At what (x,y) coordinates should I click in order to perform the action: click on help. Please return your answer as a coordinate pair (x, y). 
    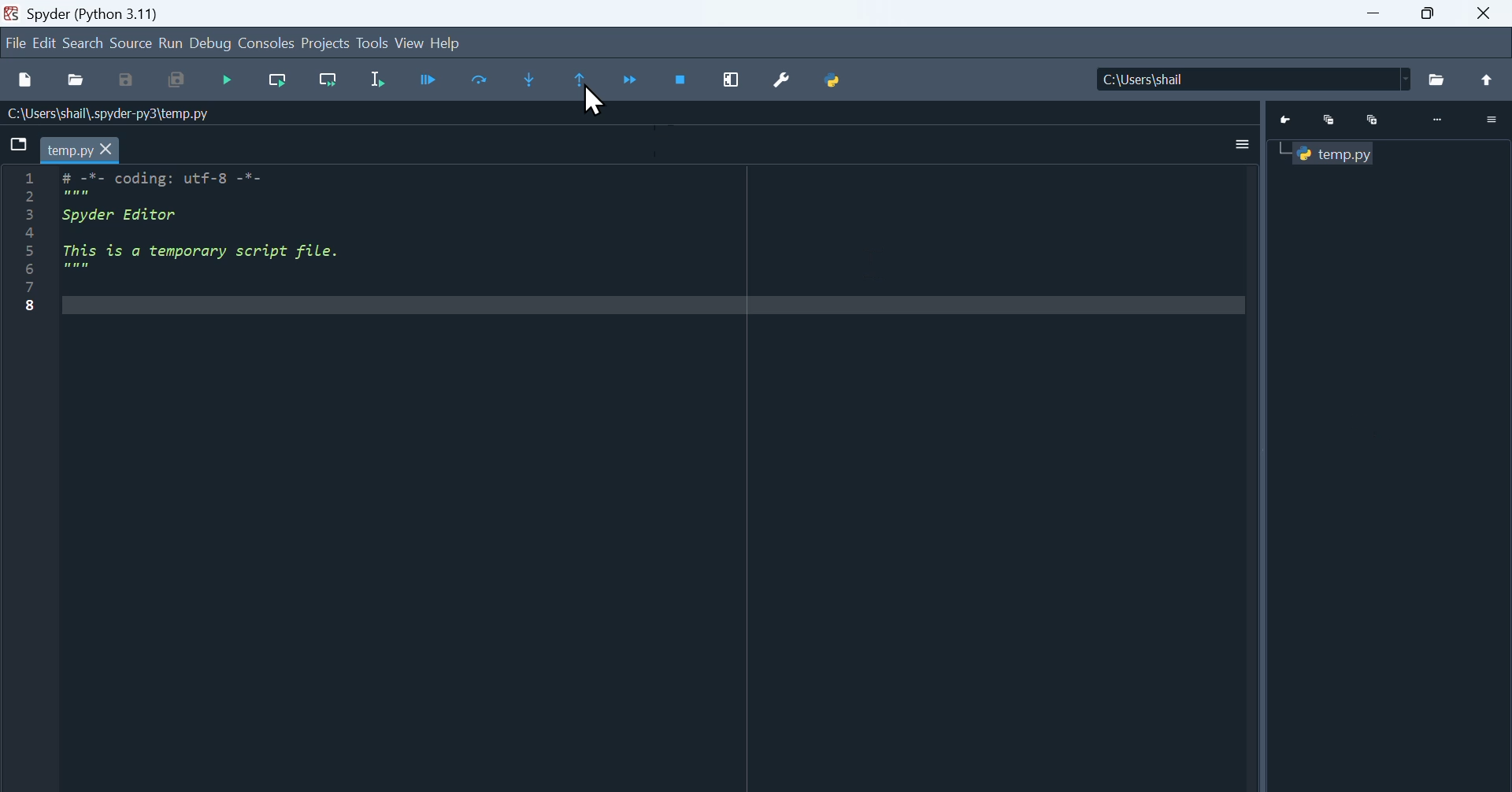
    Looking at the image, I should click on (448, 43).